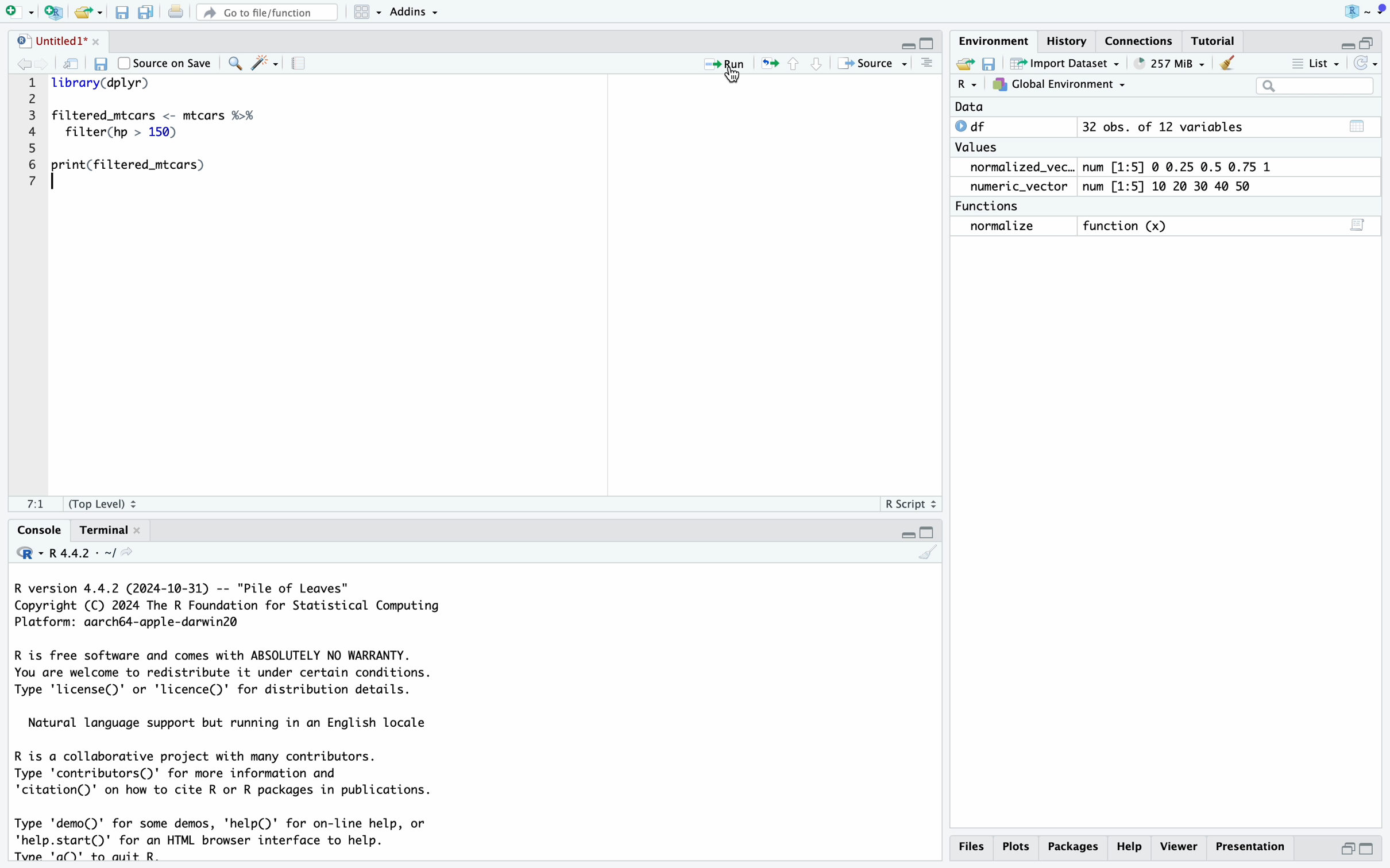 Image resolution: width=1390 pixels, height=868 pixels. What do you see at coordinates (1368, 11) in the screenshot?
I see `R dropdown` at bounding box center [1368, 11].